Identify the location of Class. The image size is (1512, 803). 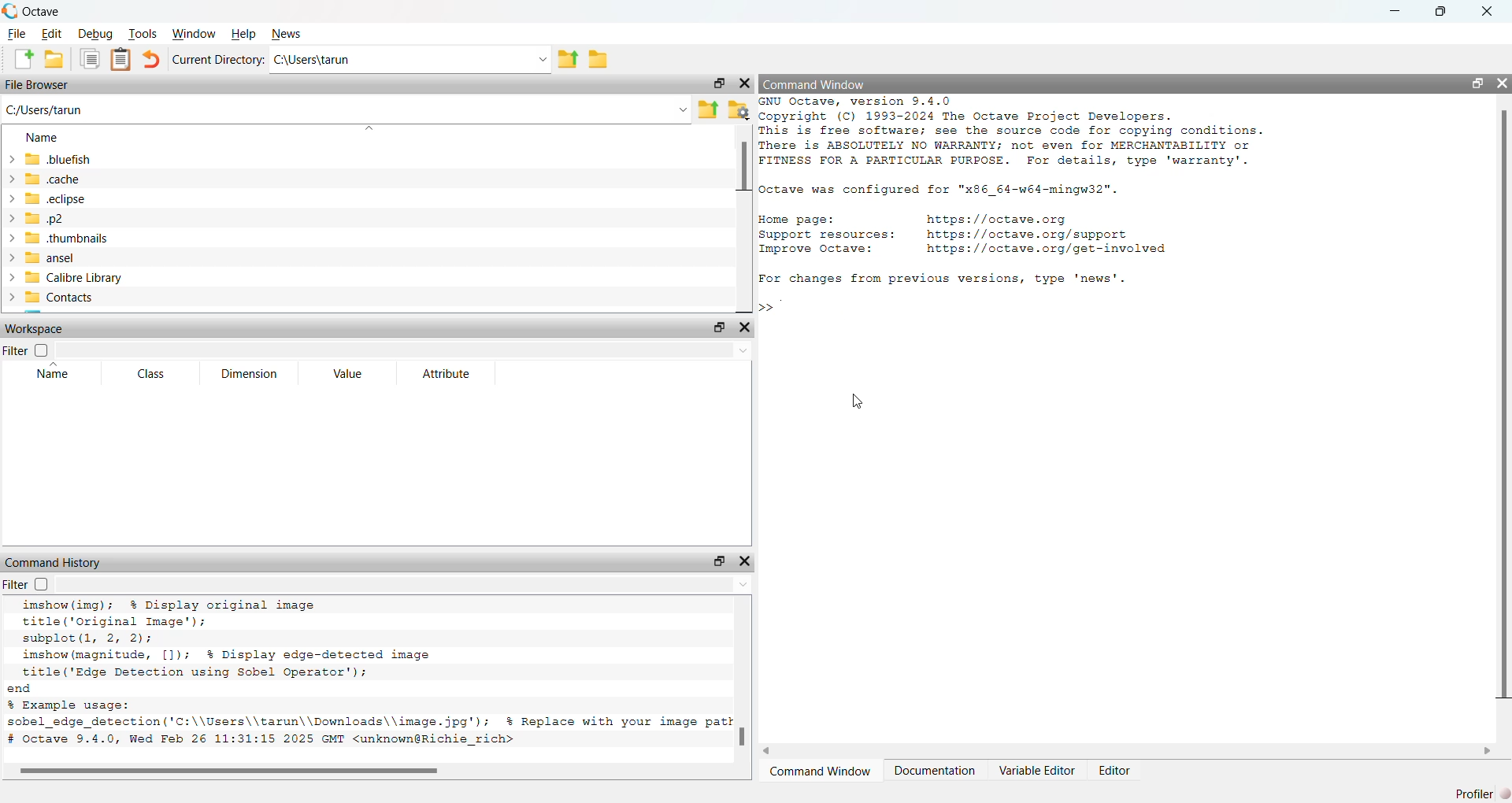
(154, 375).